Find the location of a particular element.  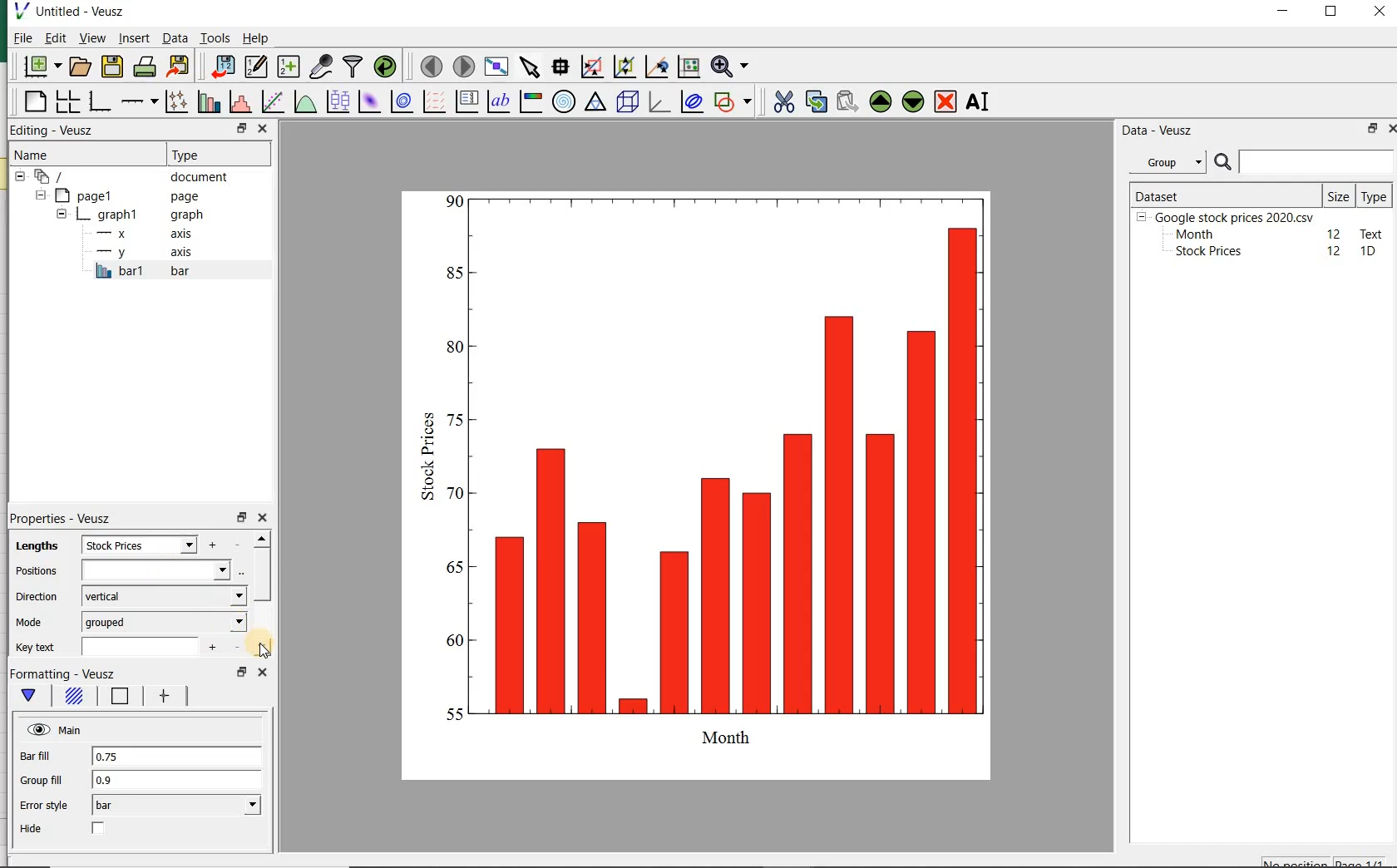

move to the previous page is located at coordinates (429, 65).